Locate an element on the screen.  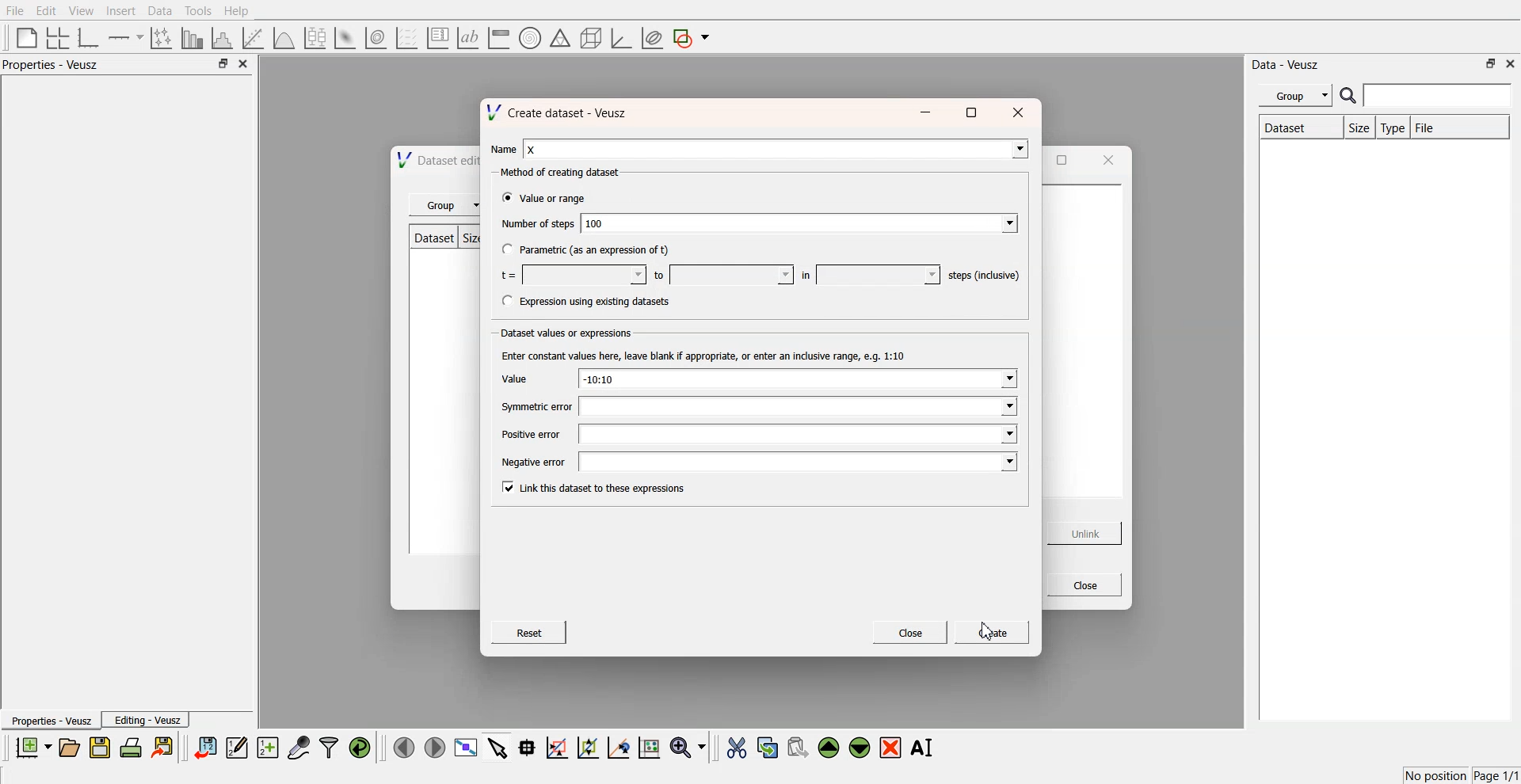
Positive error field is located at coordinates (799, 435).